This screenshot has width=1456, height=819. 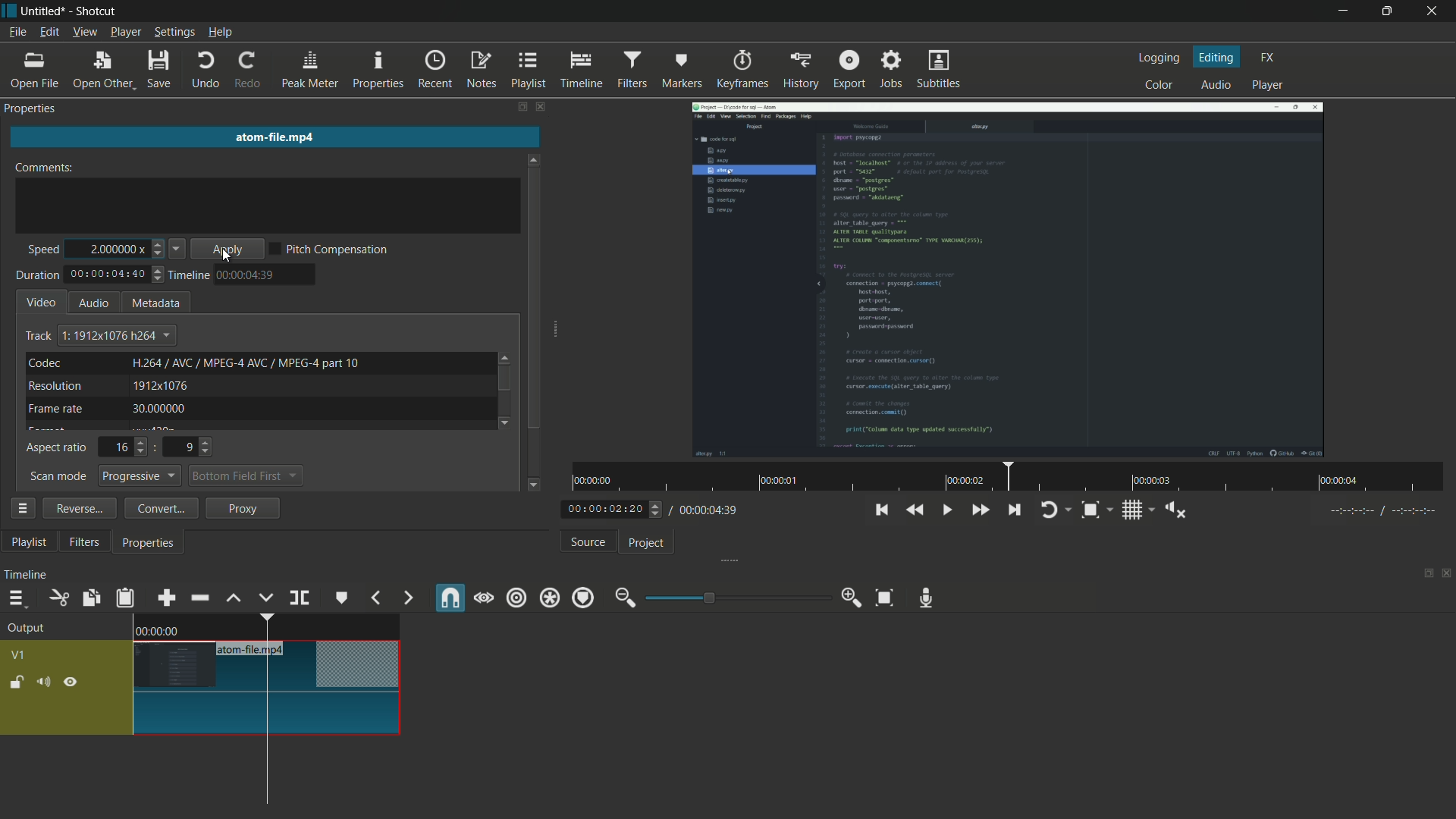 What do you see at coordinates (1267, 58) in the screenshot?
I see `fx` at bounding box center [1267, 58].